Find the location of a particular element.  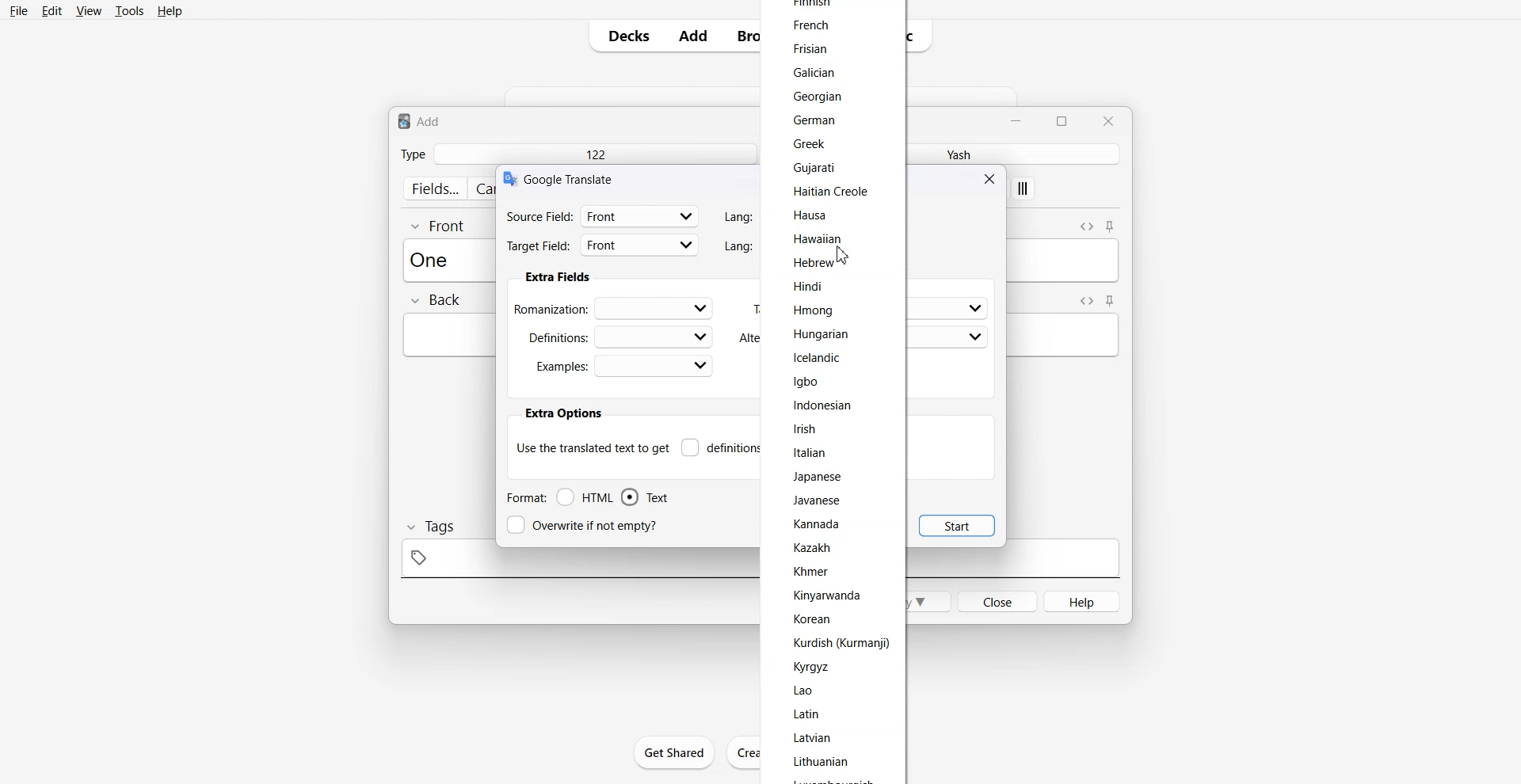

Irish is located at coordinates (805, 428).